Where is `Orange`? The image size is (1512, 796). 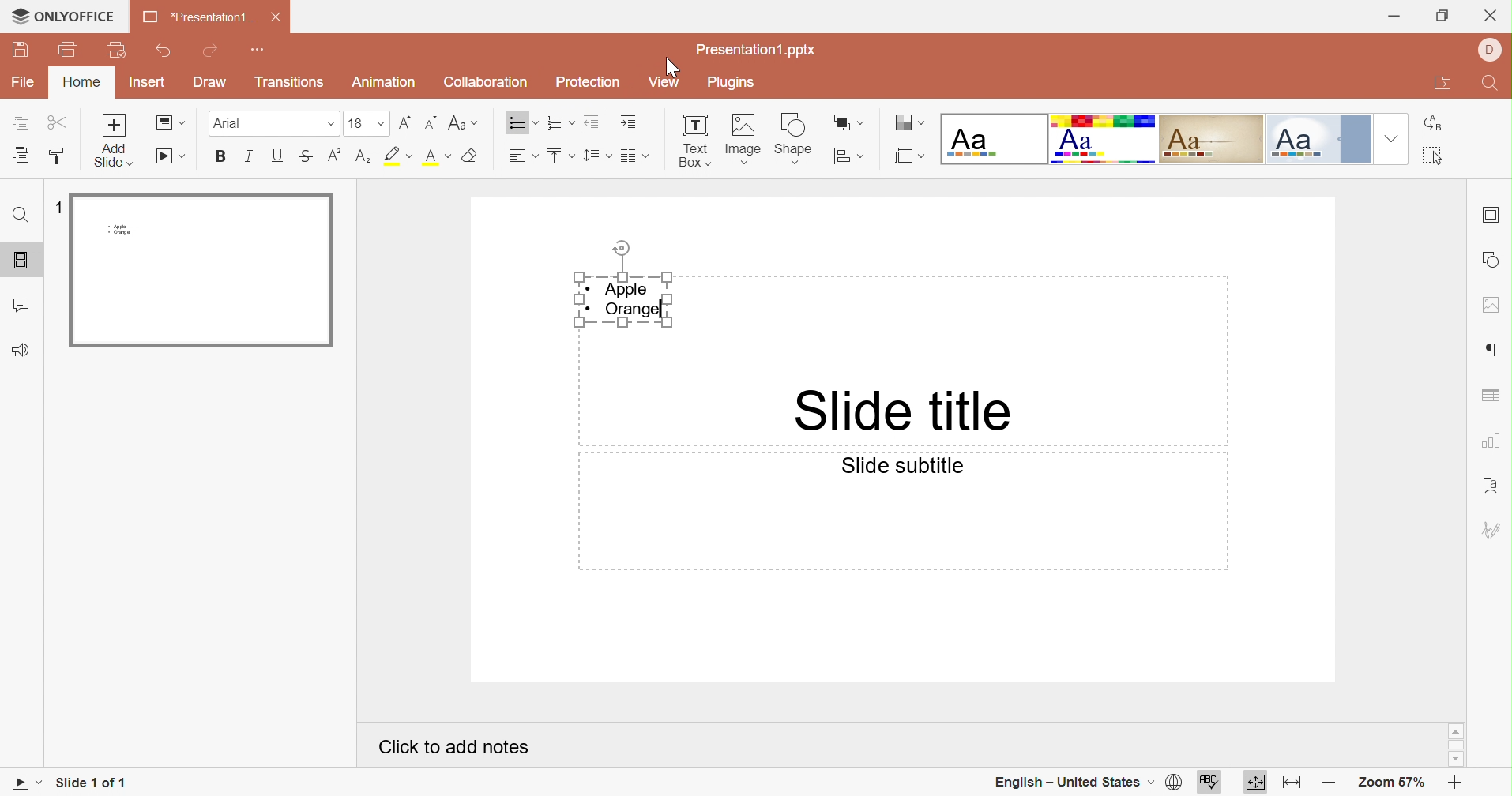 Orange is located at coordinates (638, 312).